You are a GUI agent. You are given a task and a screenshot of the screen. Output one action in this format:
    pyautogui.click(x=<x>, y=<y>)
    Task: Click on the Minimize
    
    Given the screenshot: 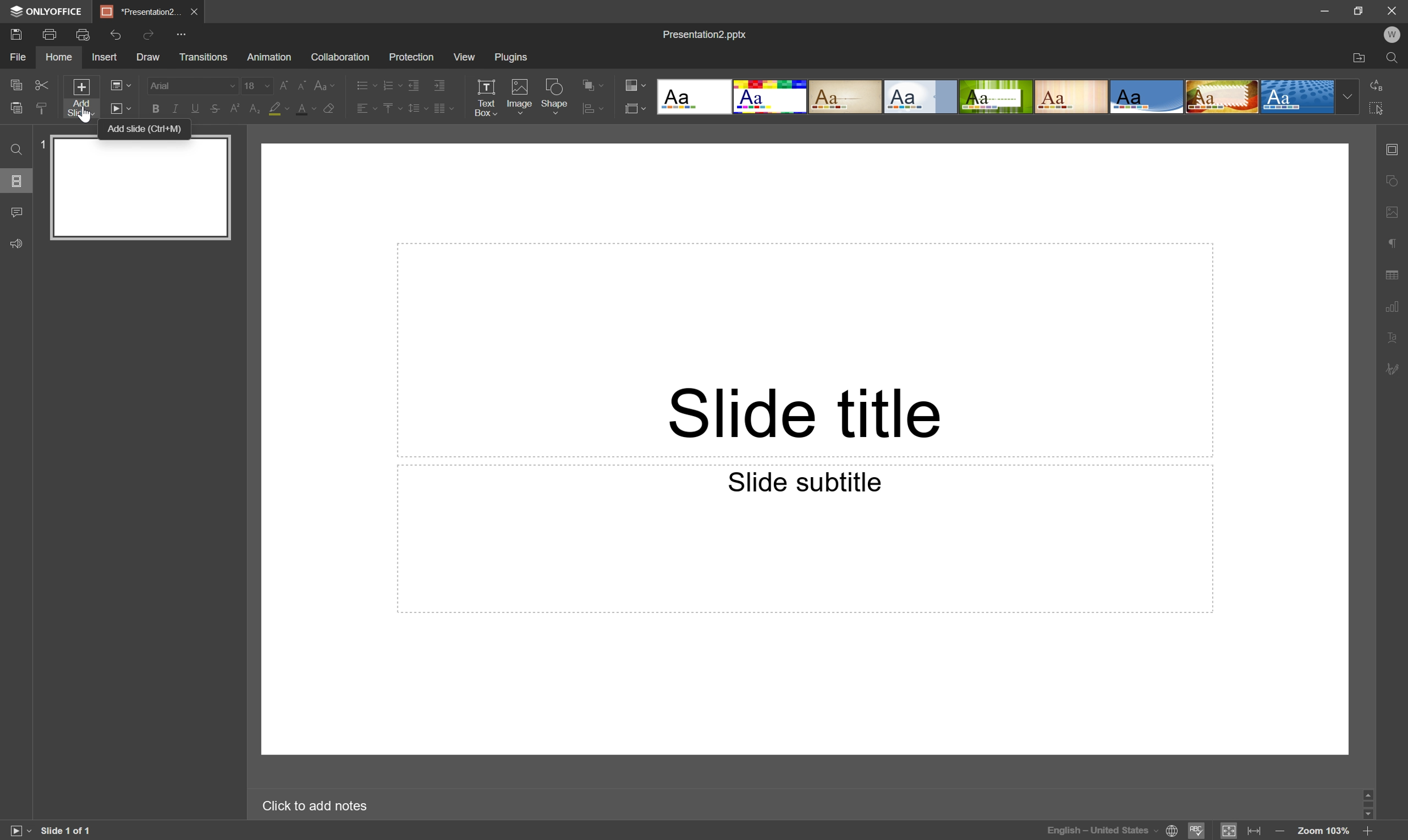 What is the action you would take?
    pyautogui.click(x=1327, y=8)
    